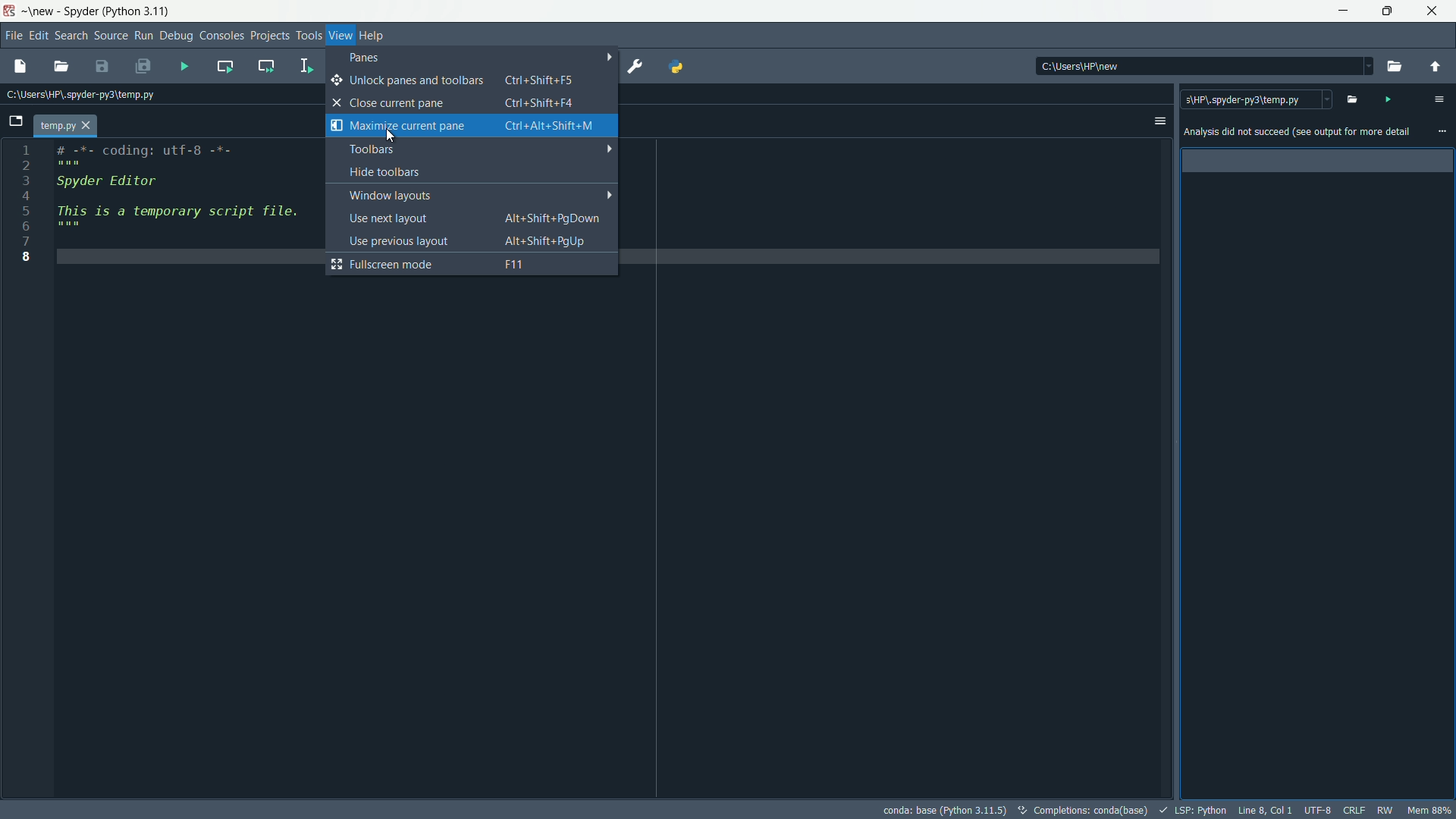  What do you see at coordinates (149, 155) in the screenshot?
I see `#-*- coding: utf-8 -*-" " "` at bounding box center [149, 155].